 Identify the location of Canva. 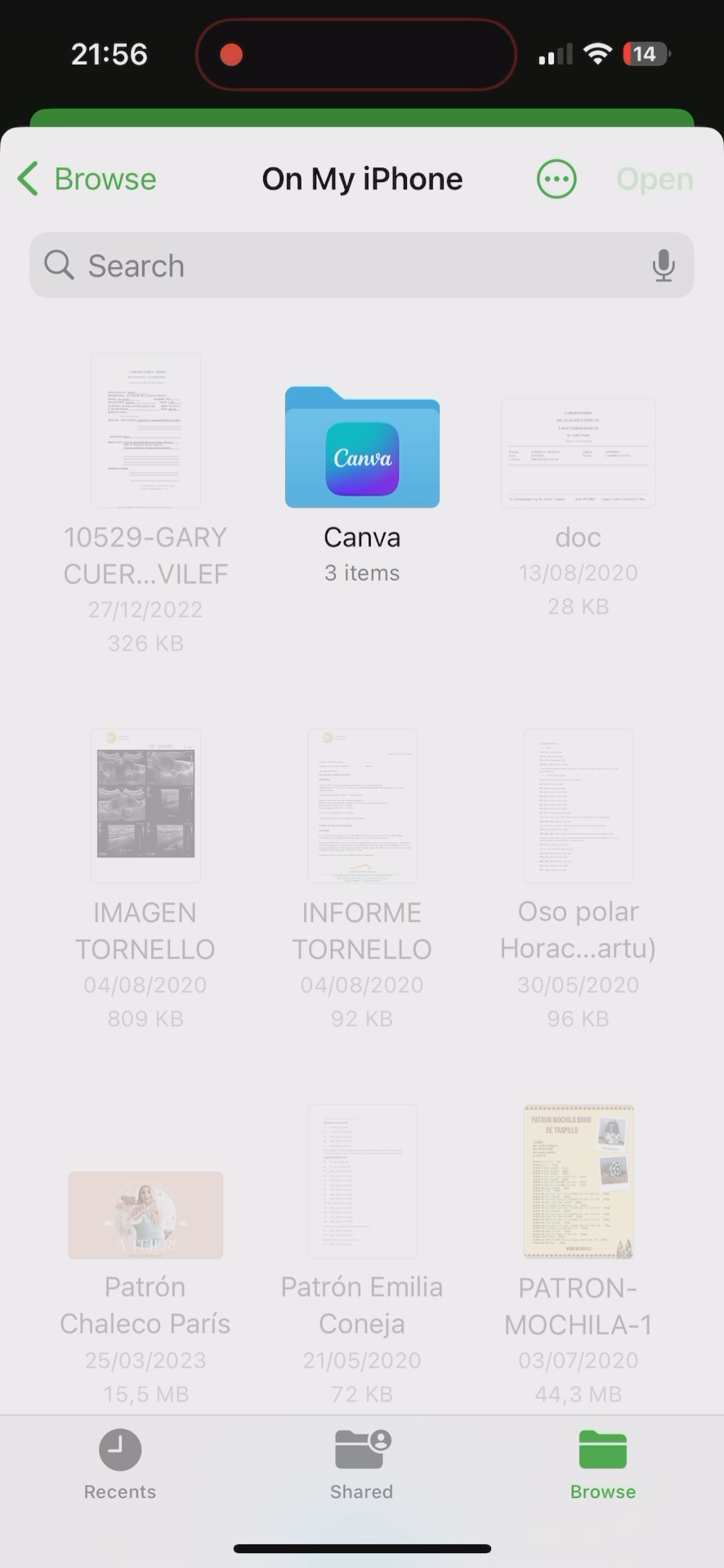
(366, 473).